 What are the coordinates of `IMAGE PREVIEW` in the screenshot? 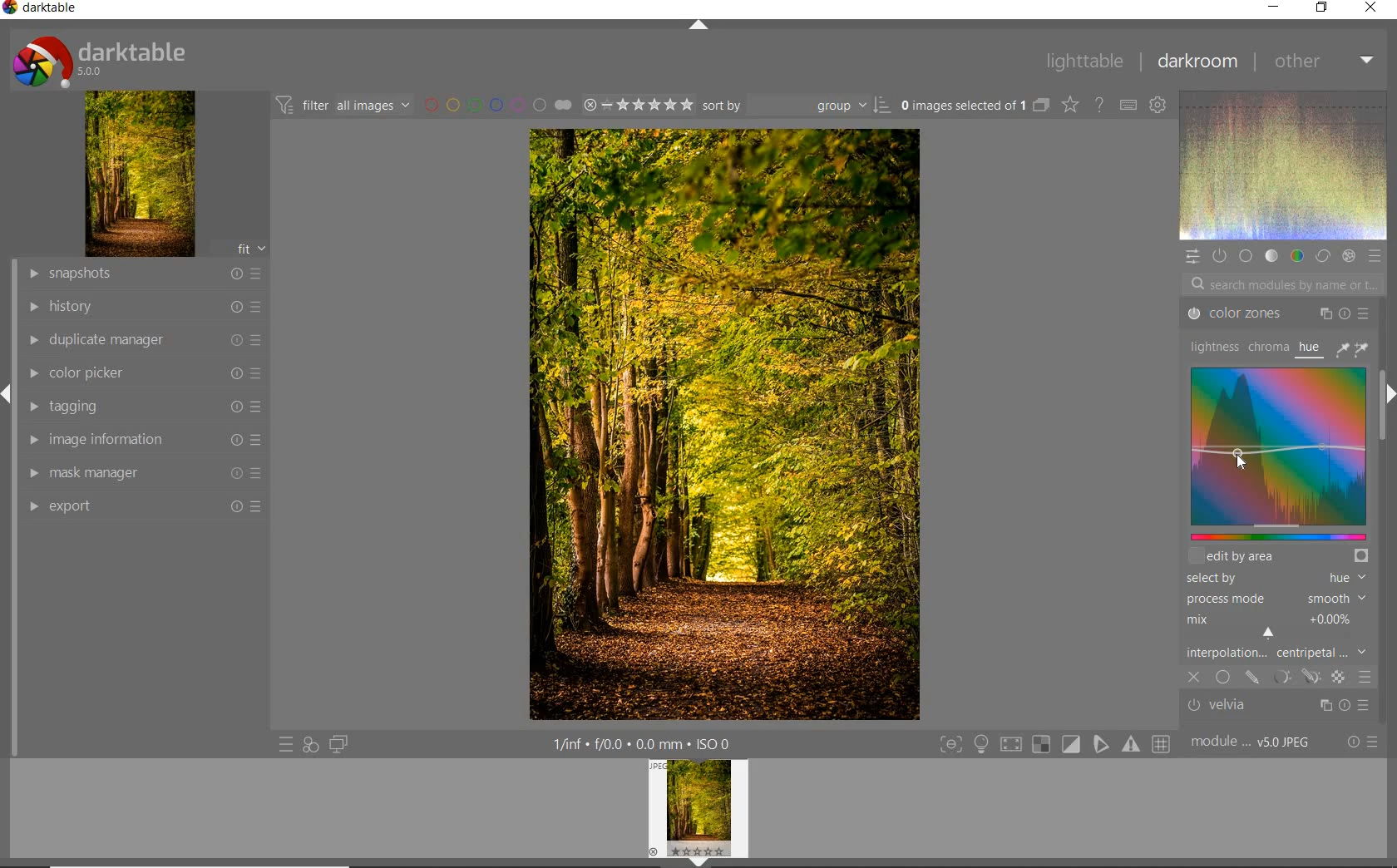 It's located at (698, 813).